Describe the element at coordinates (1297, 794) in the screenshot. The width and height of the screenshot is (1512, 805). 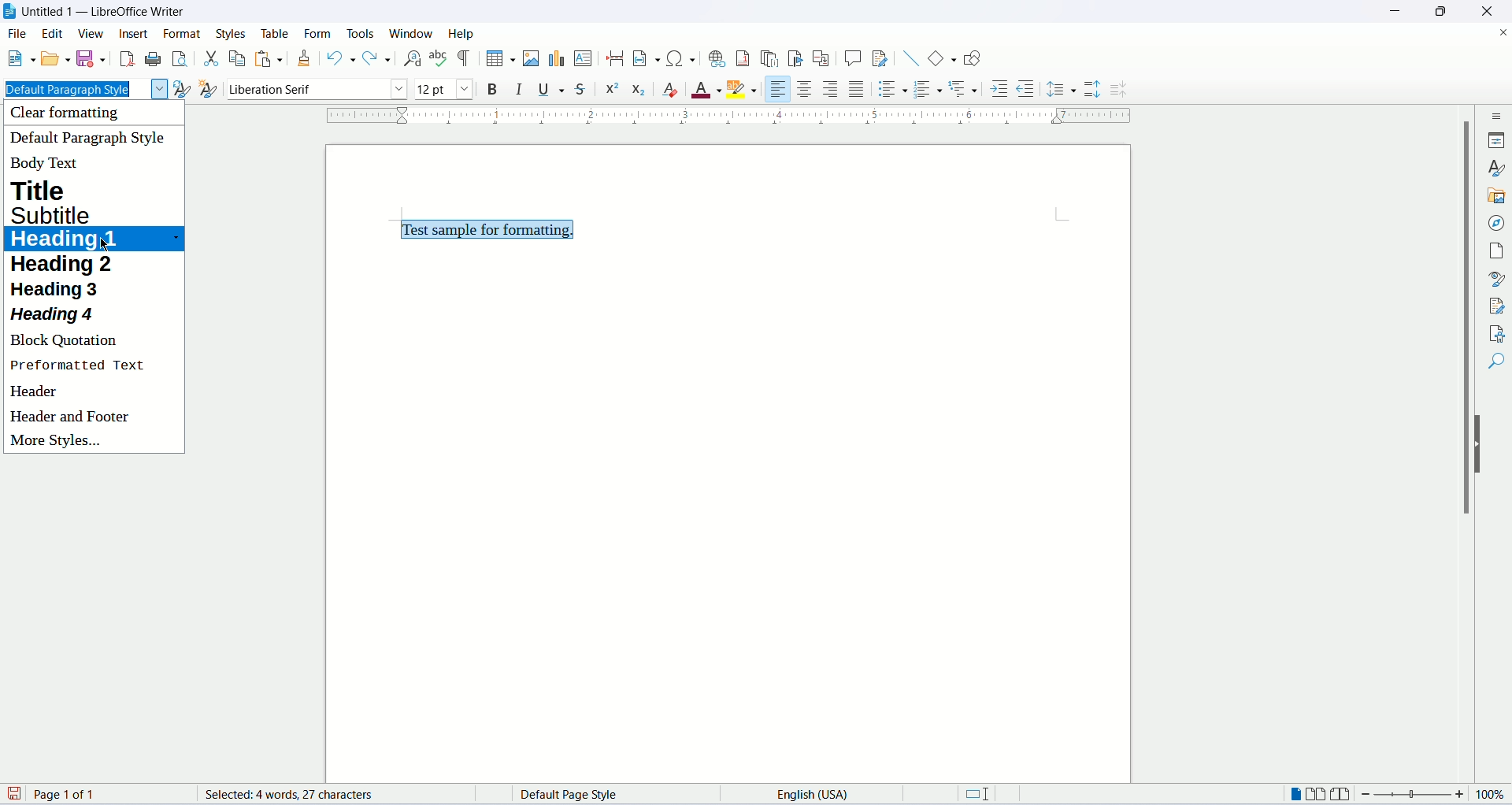
I see `single page view` at that location.